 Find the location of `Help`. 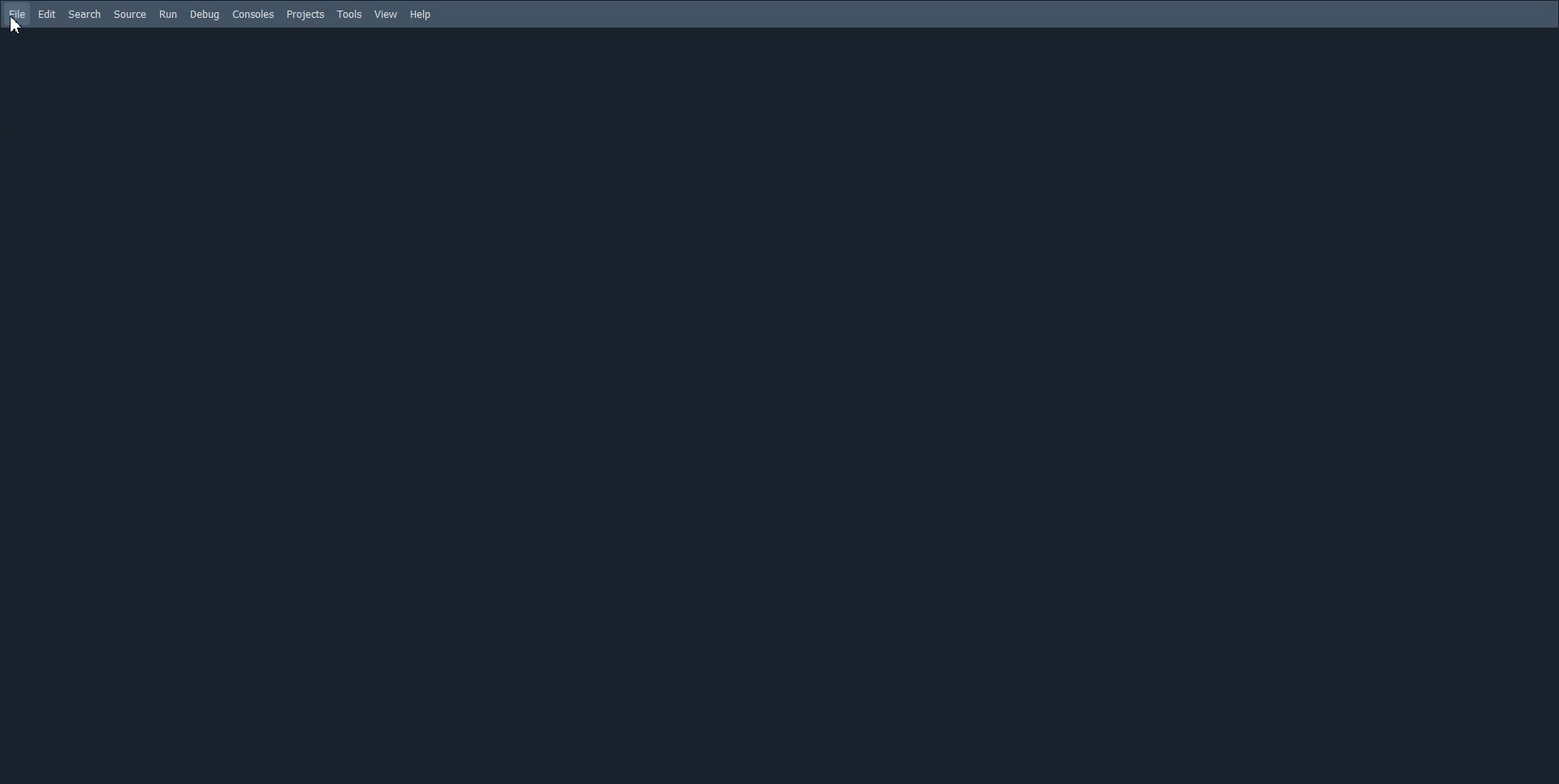

Help is located at coordinates (422, 15).